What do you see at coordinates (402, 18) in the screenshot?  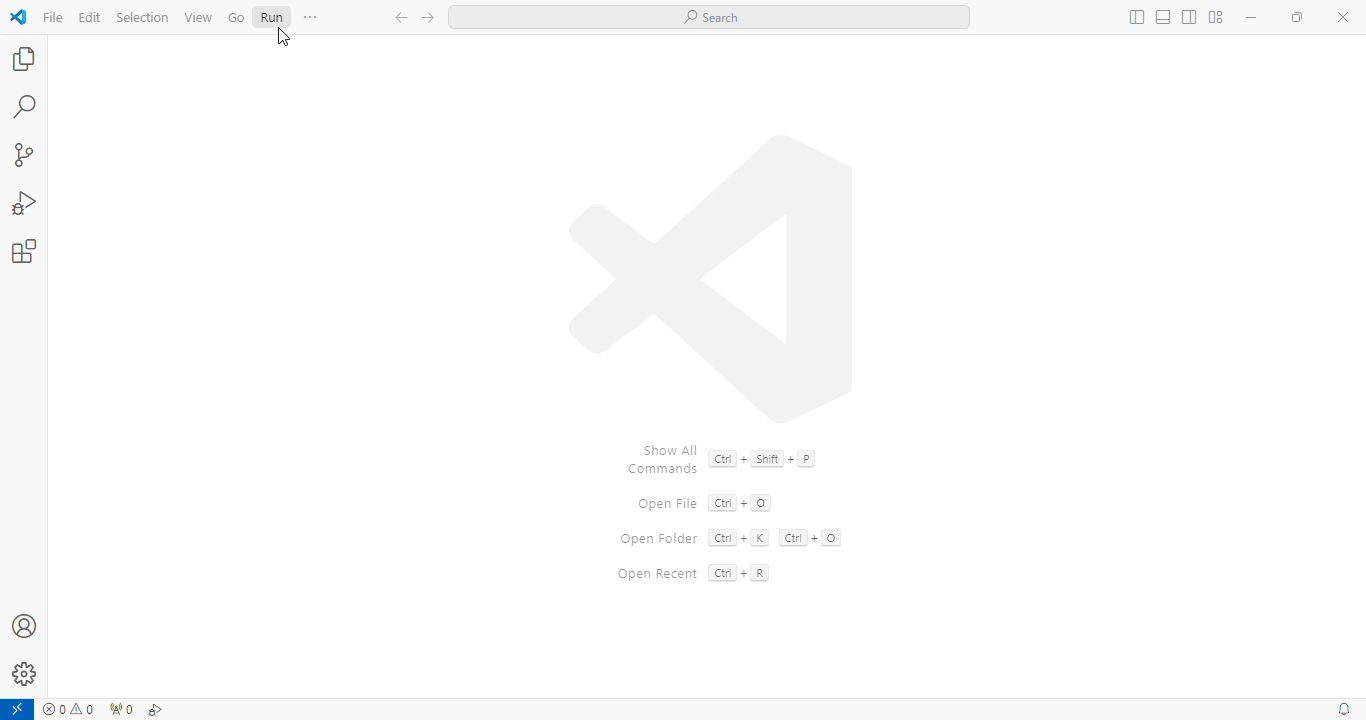 I see `go back` at bounding box center [402, 18].